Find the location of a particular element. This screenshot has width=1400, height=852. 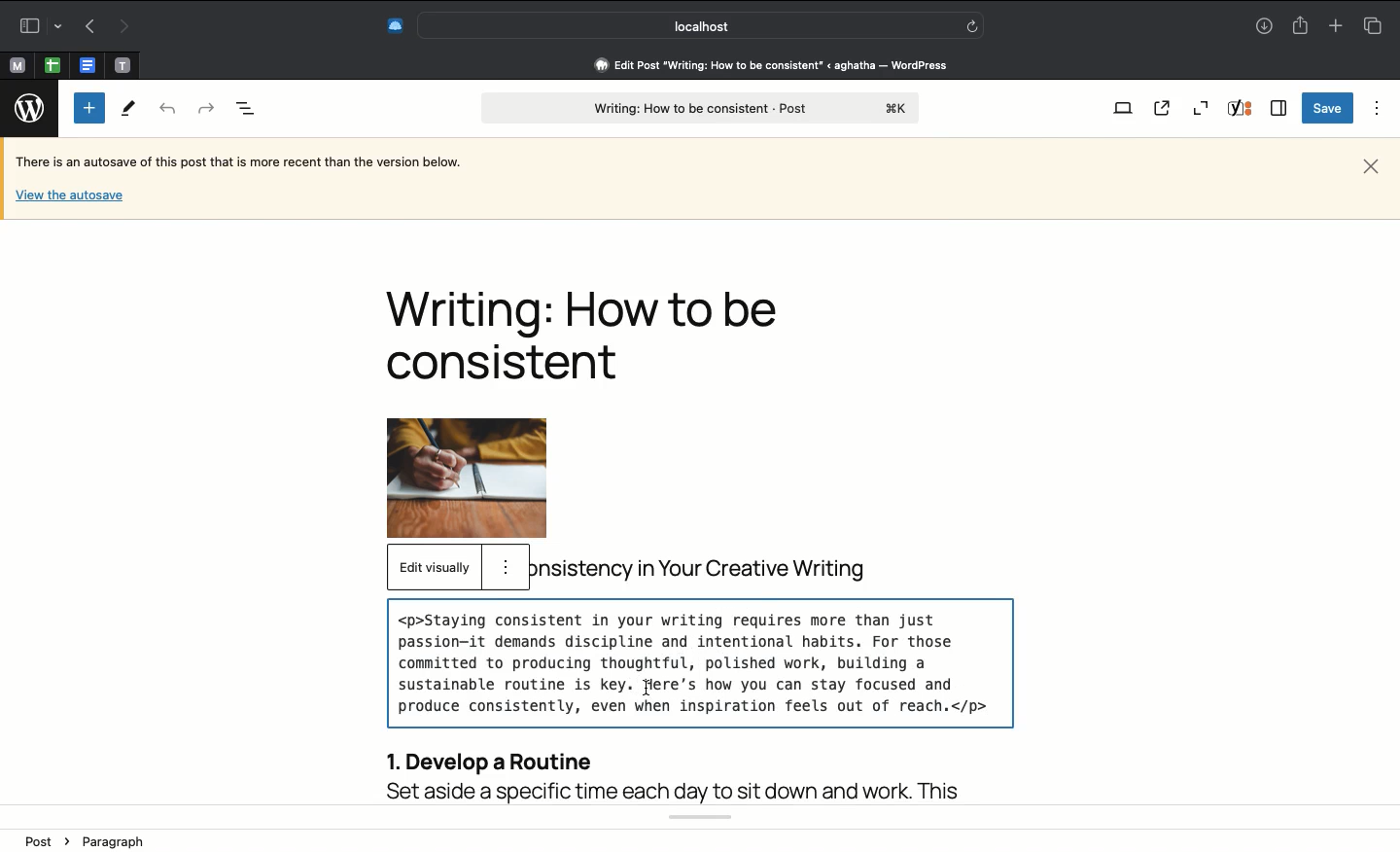

Title is located at coordinates (592, 335).